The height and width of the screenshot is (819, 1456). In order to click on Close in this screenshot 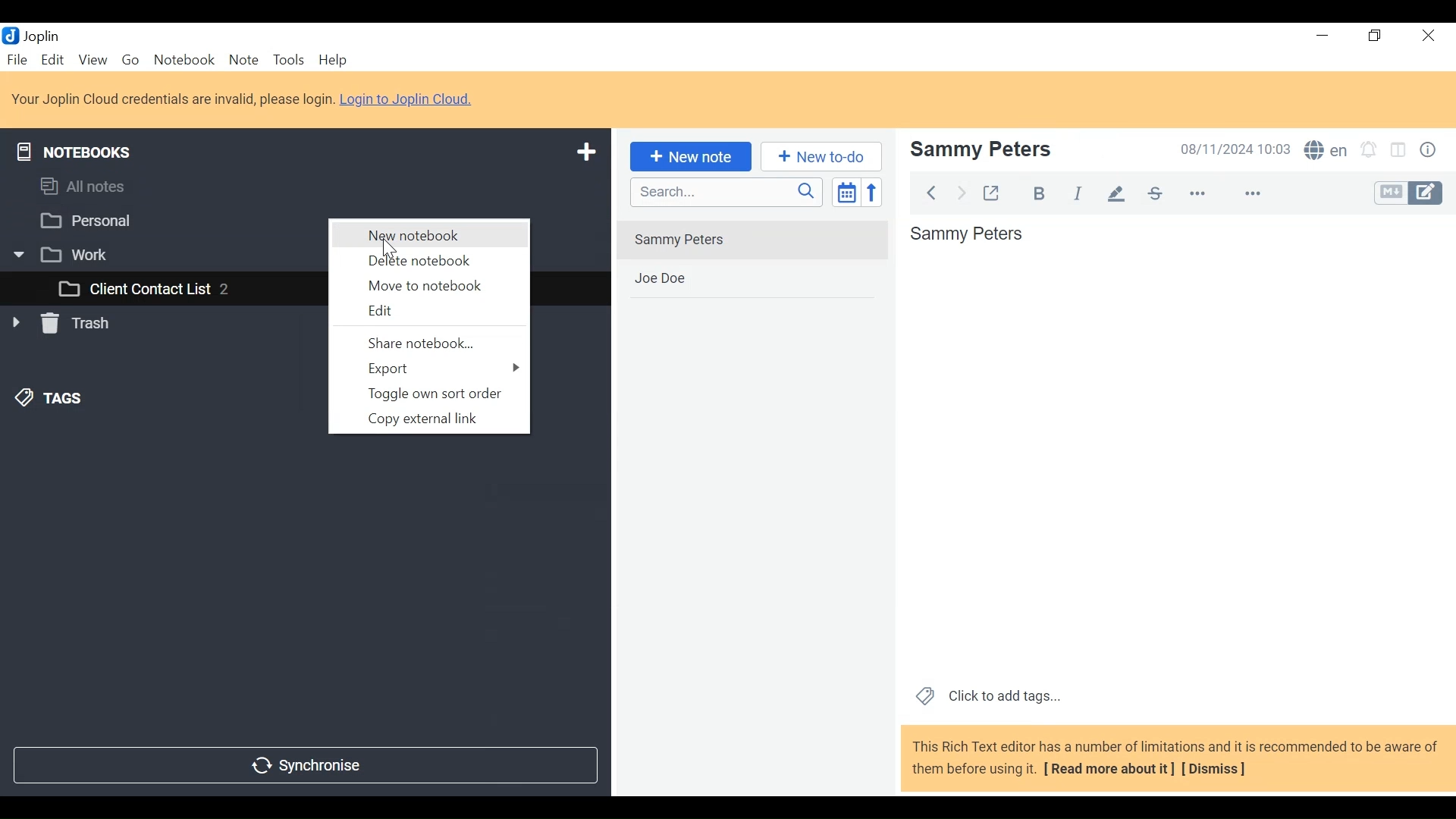, I will do `click(1429, 34)`.